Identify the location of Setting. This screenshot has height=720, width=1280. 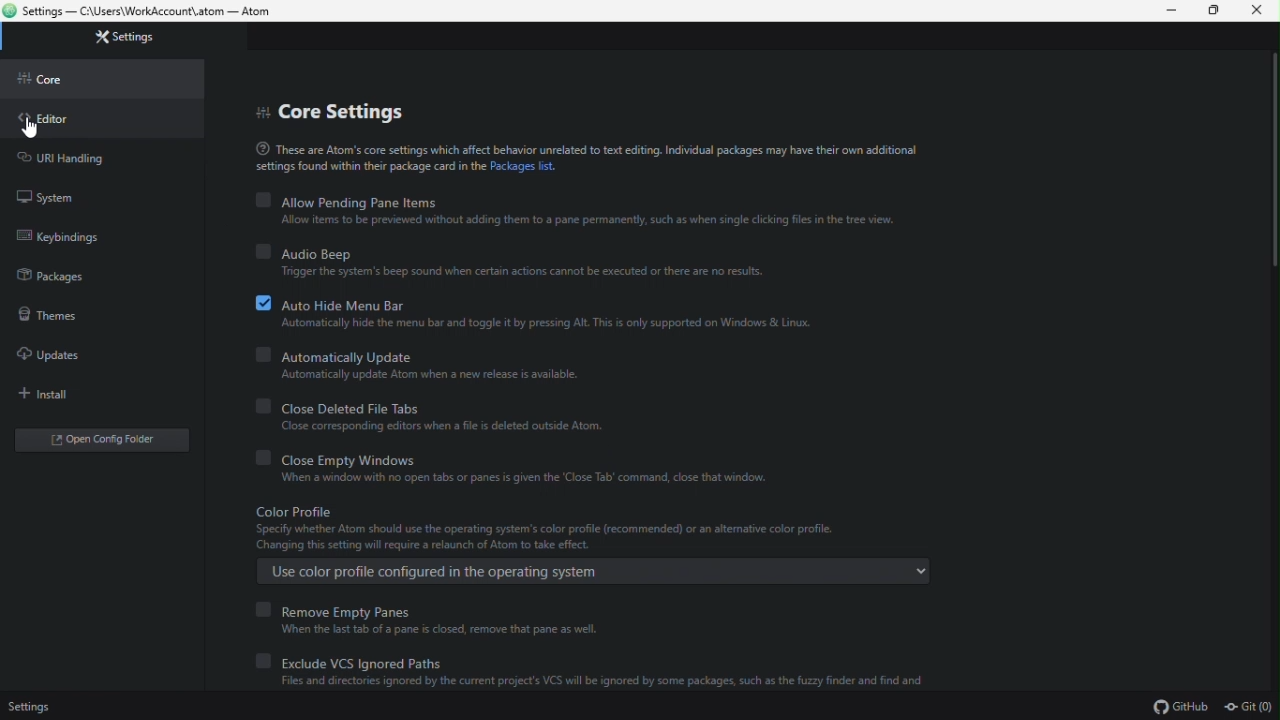
(147, 40).